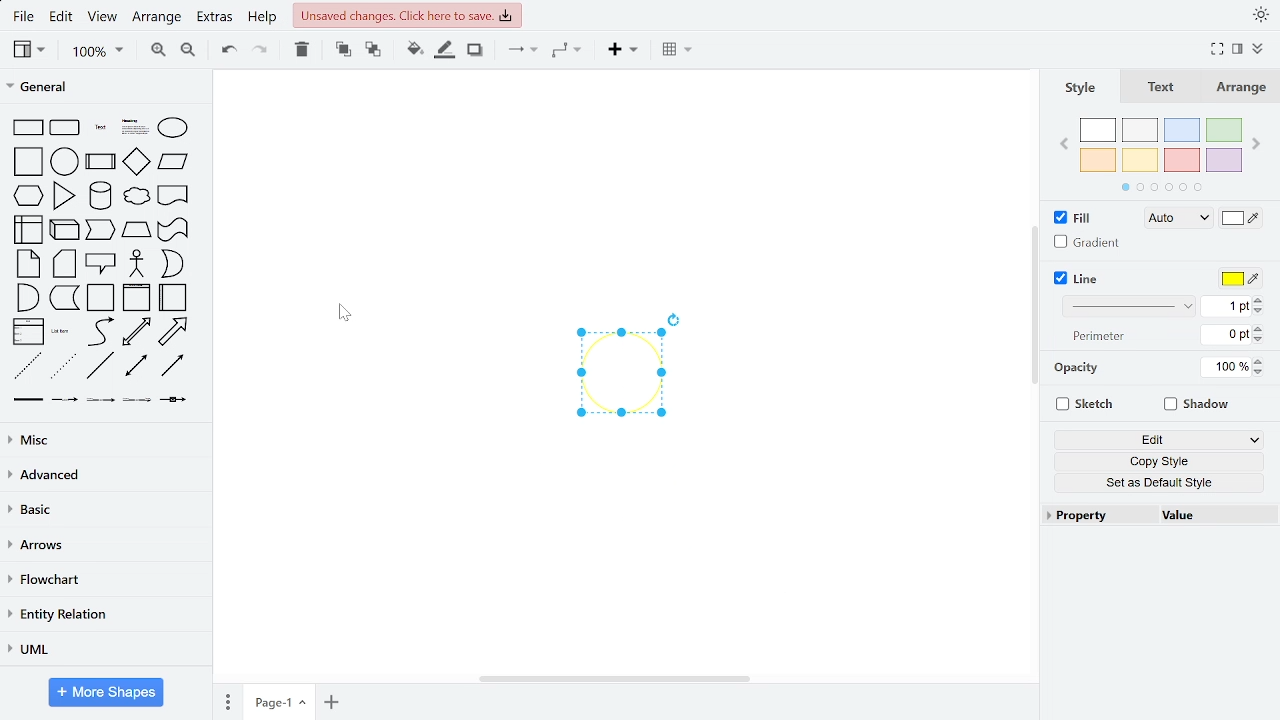 This screenshot has height=720, width=1280. Describe the element at coordinates (137, 163) in the screenshot. I see `diamond` at that location.